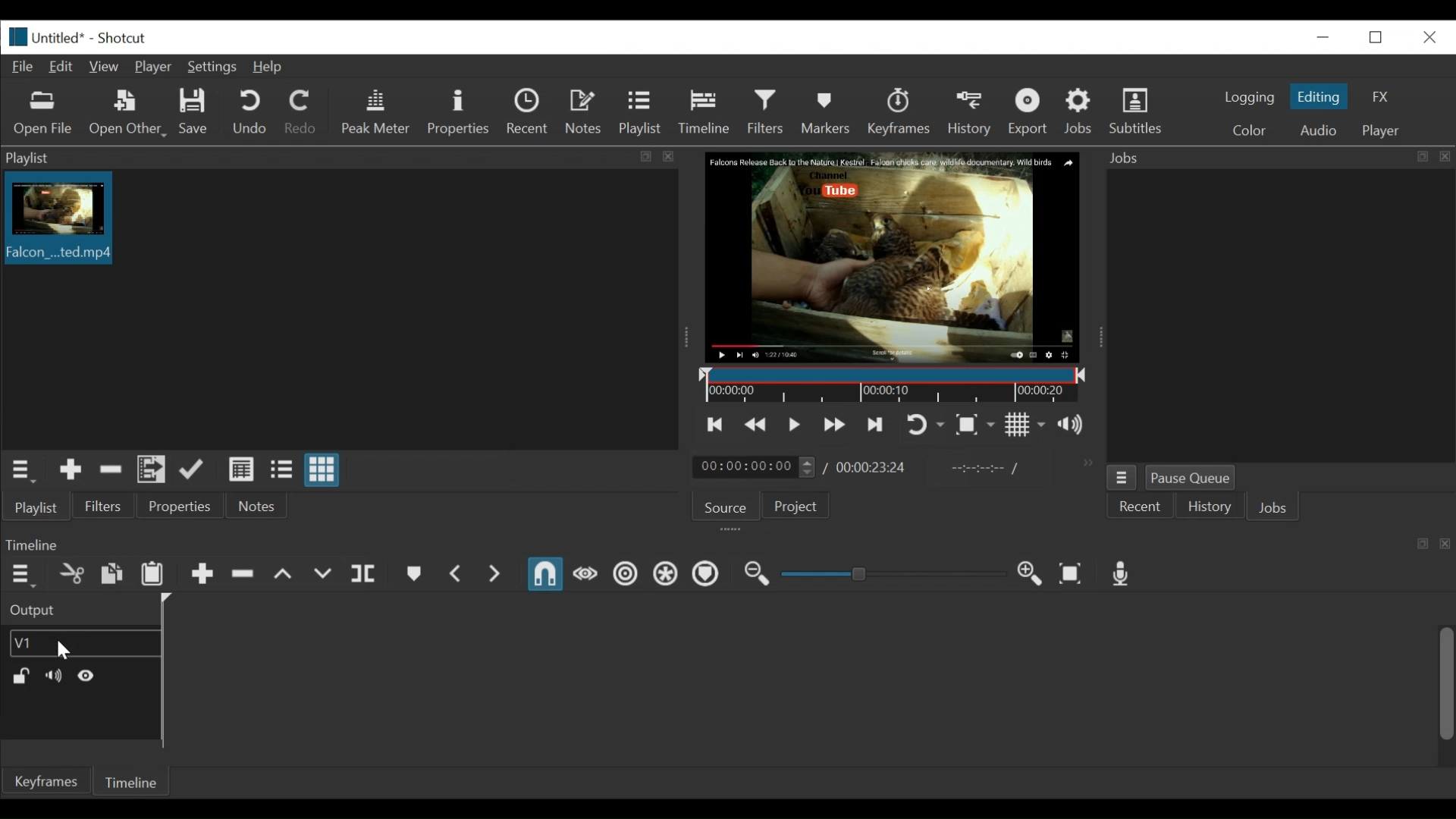 The width and height of the screenshot is (1456, 819). What do you see at coordinates (529, 113) in the screenshot?
I see `Recent` at bounding box center [529, 113].